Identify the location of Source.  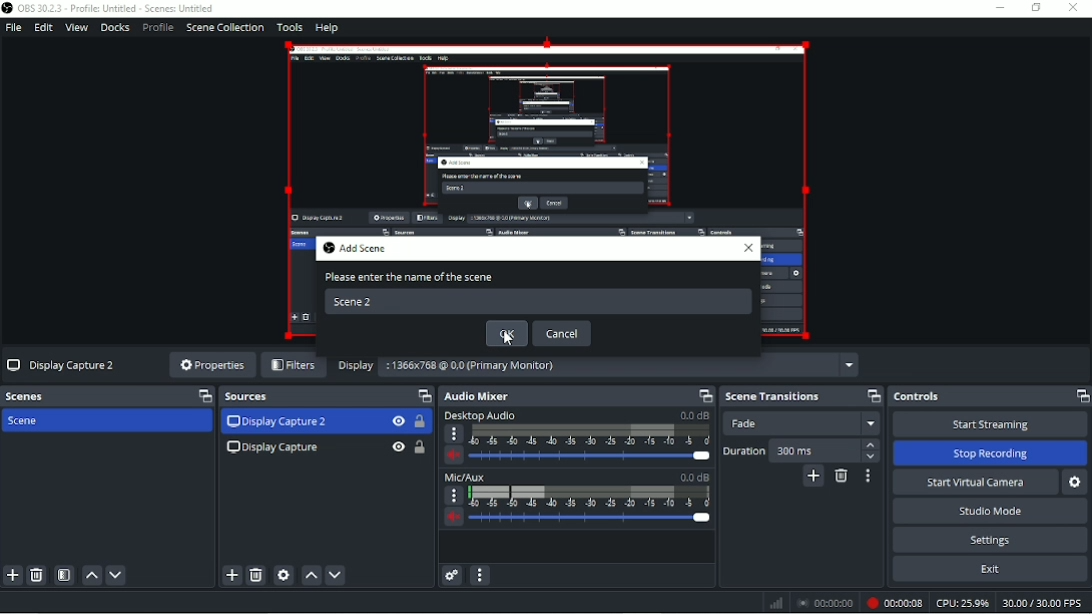
(256, 397).